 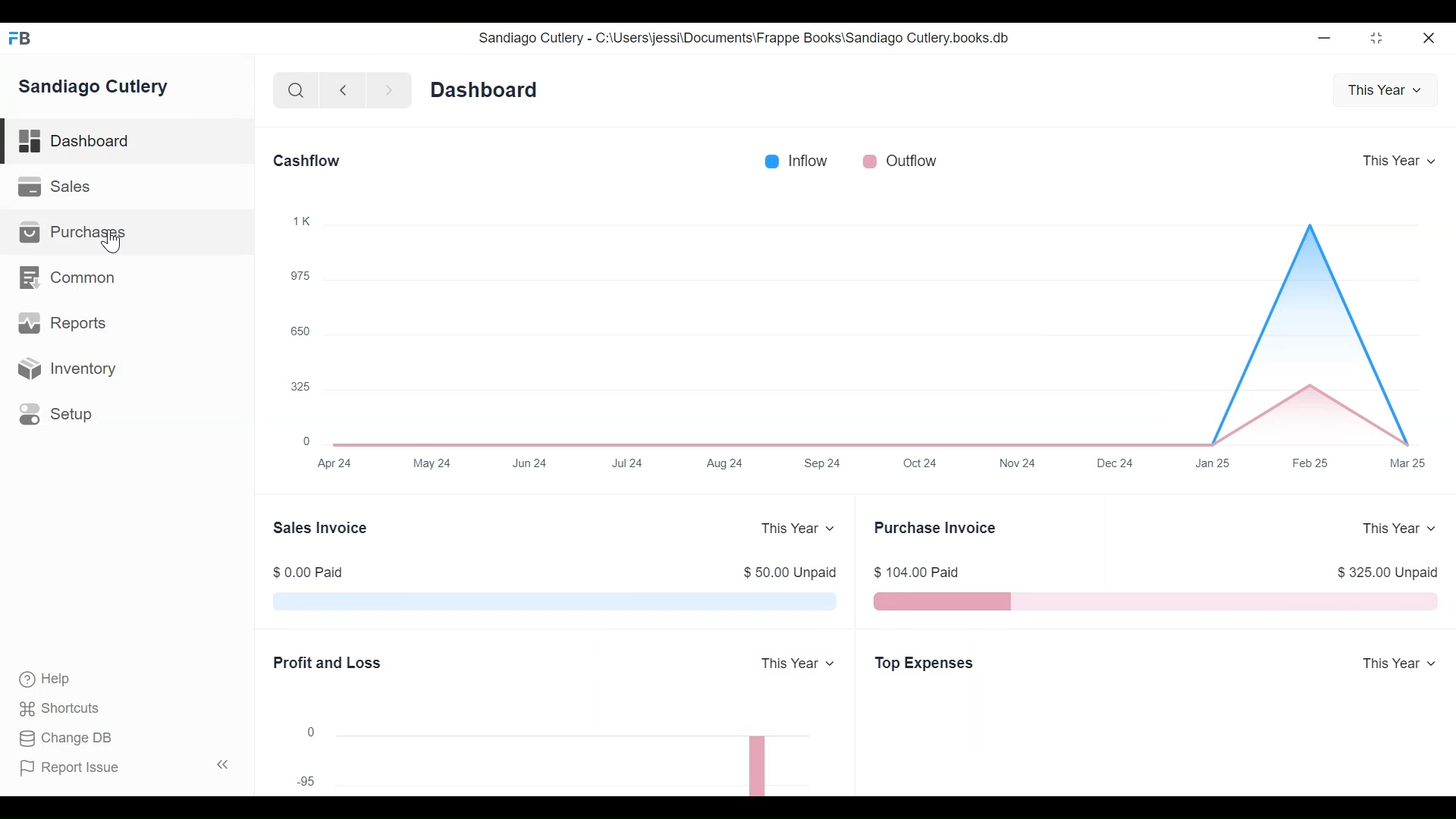 What do you see at coordinates (317, 572) in the screenshot?
I see `$ 0.00 Paid` at bounding box center [317, 572].